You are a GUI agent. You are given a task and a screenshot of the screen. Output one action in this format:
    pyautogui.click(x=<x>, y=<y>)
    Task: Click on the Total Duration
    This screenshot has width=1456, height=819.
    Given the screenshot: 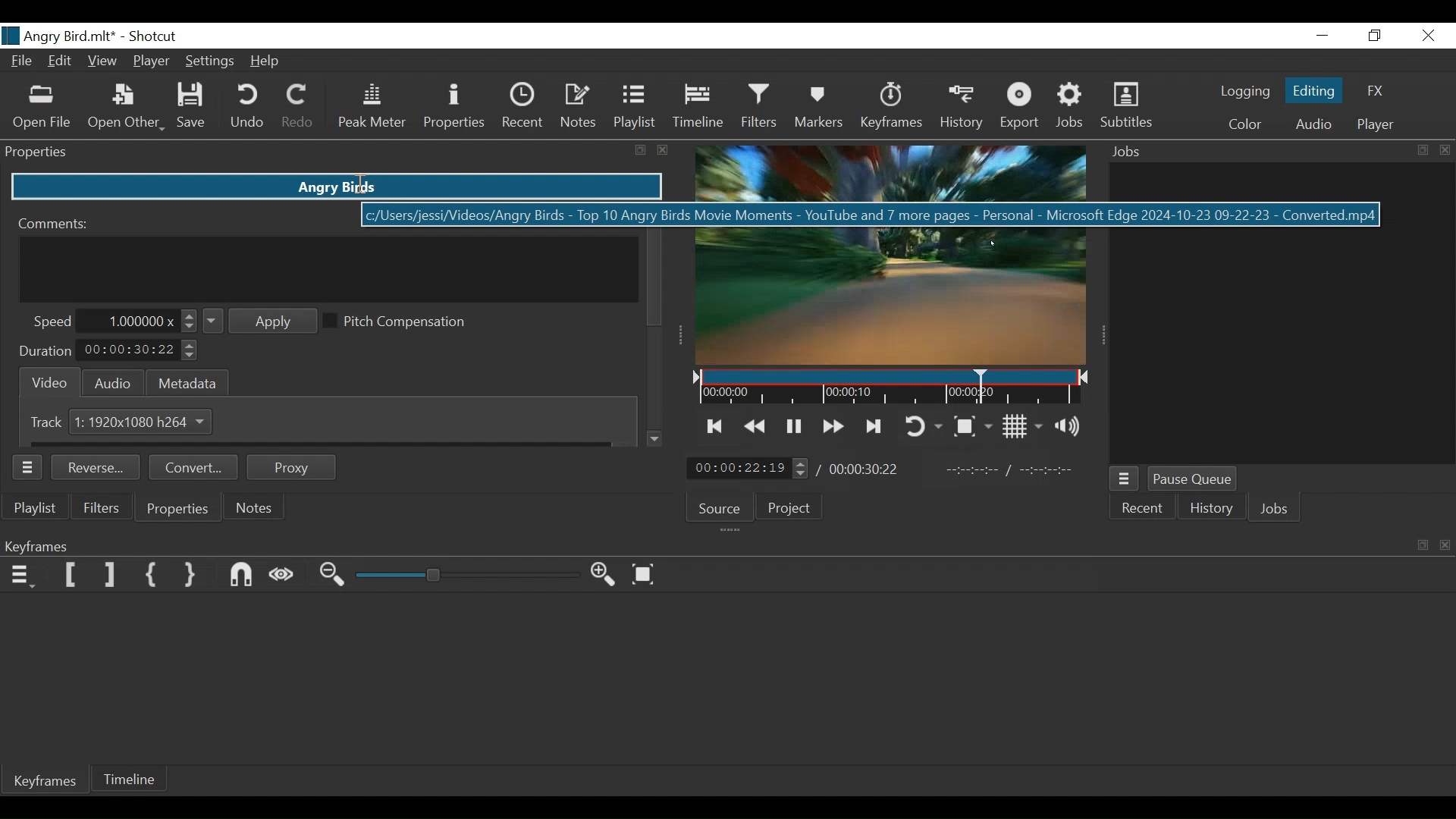 What is the action you would take?
    pyautogui.click(x=866, y=471)
    